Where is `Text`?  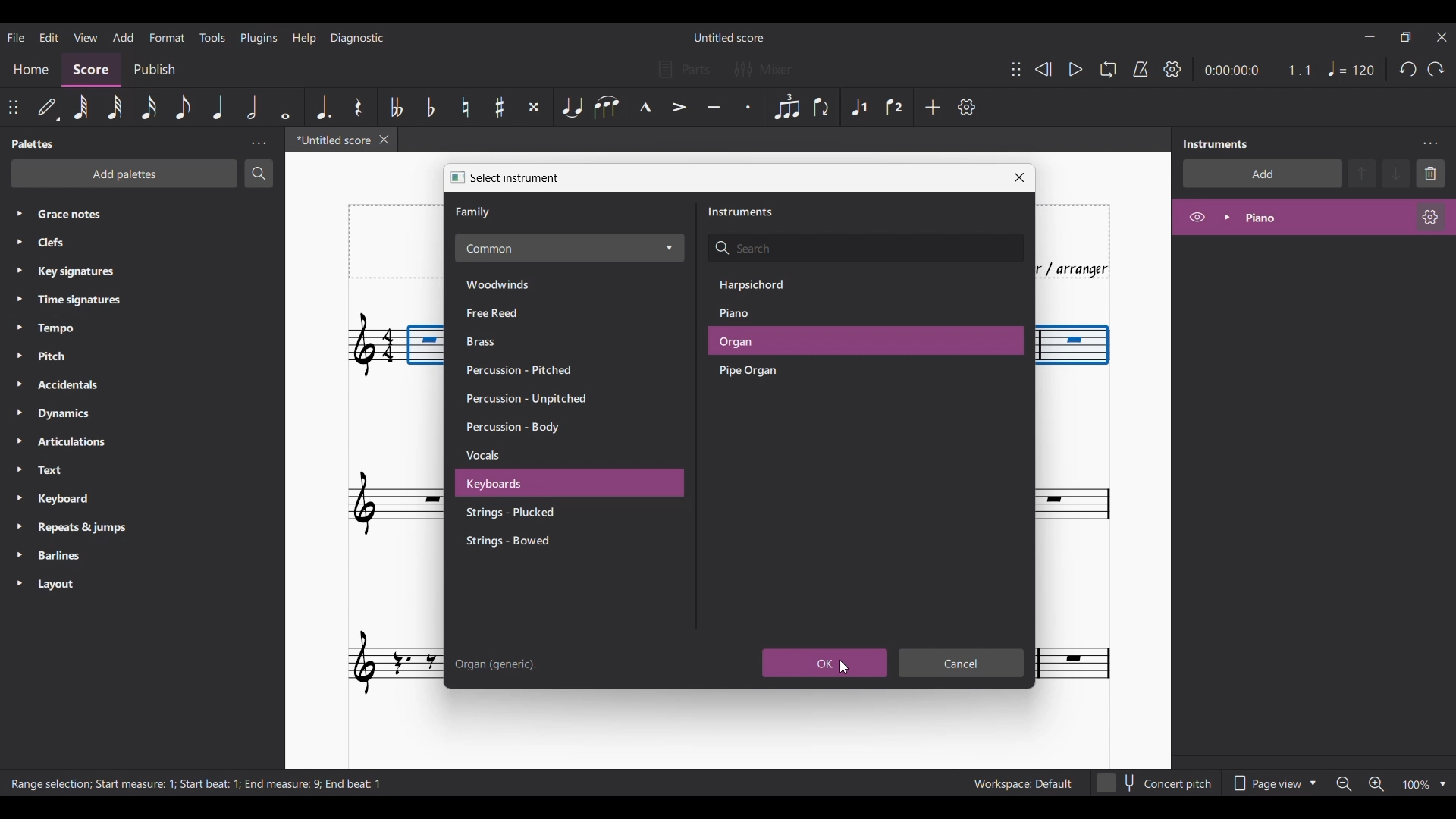 Text is located at coordinates (80, 471).